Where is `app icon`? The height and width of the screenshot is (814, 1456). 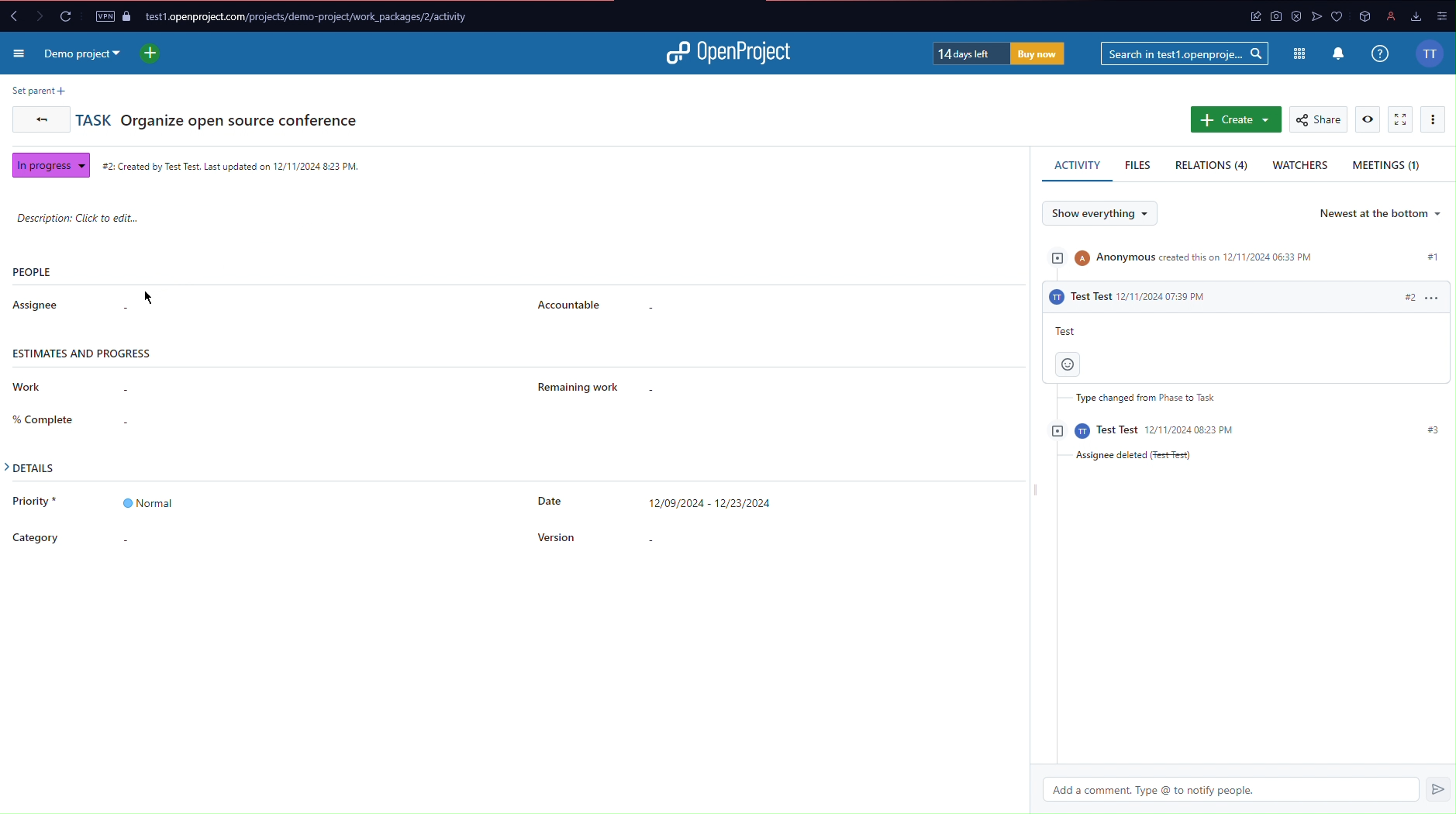 app icon is located at coordinates (1269, 16).